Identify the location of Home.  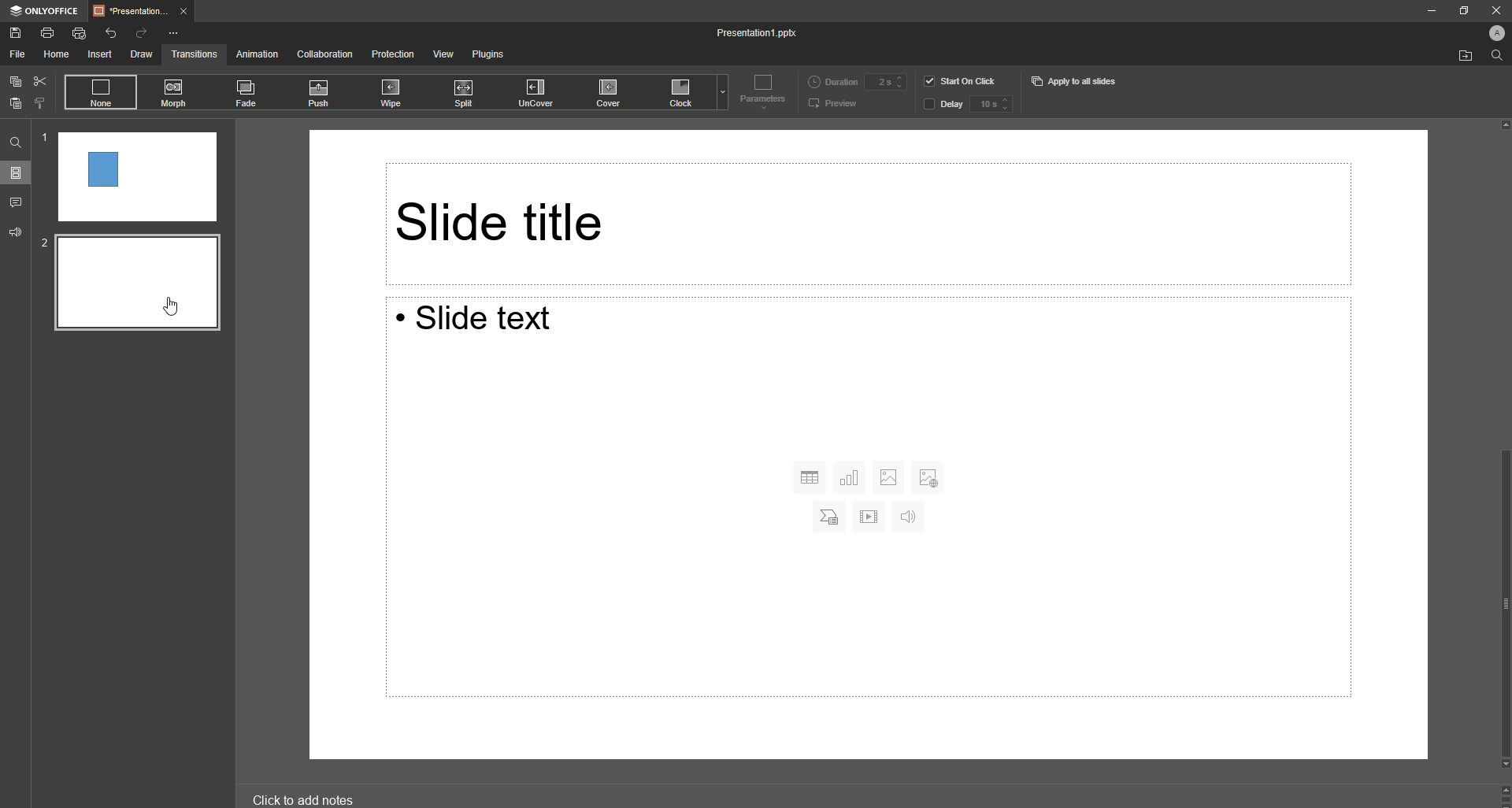
(54, 54).